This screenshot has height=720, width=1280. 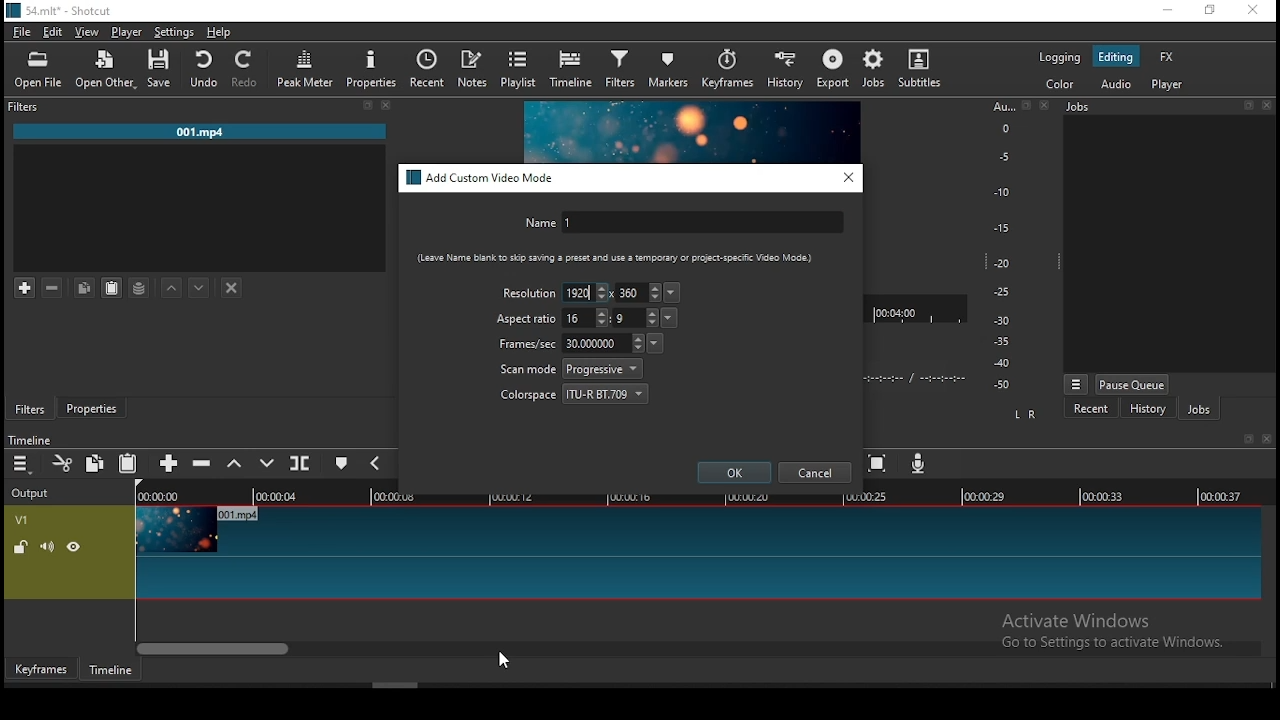 What do you see at coordinates (527, 319) in the screenshot?
I see `aspect ratio` at bounding box center [527, 319].